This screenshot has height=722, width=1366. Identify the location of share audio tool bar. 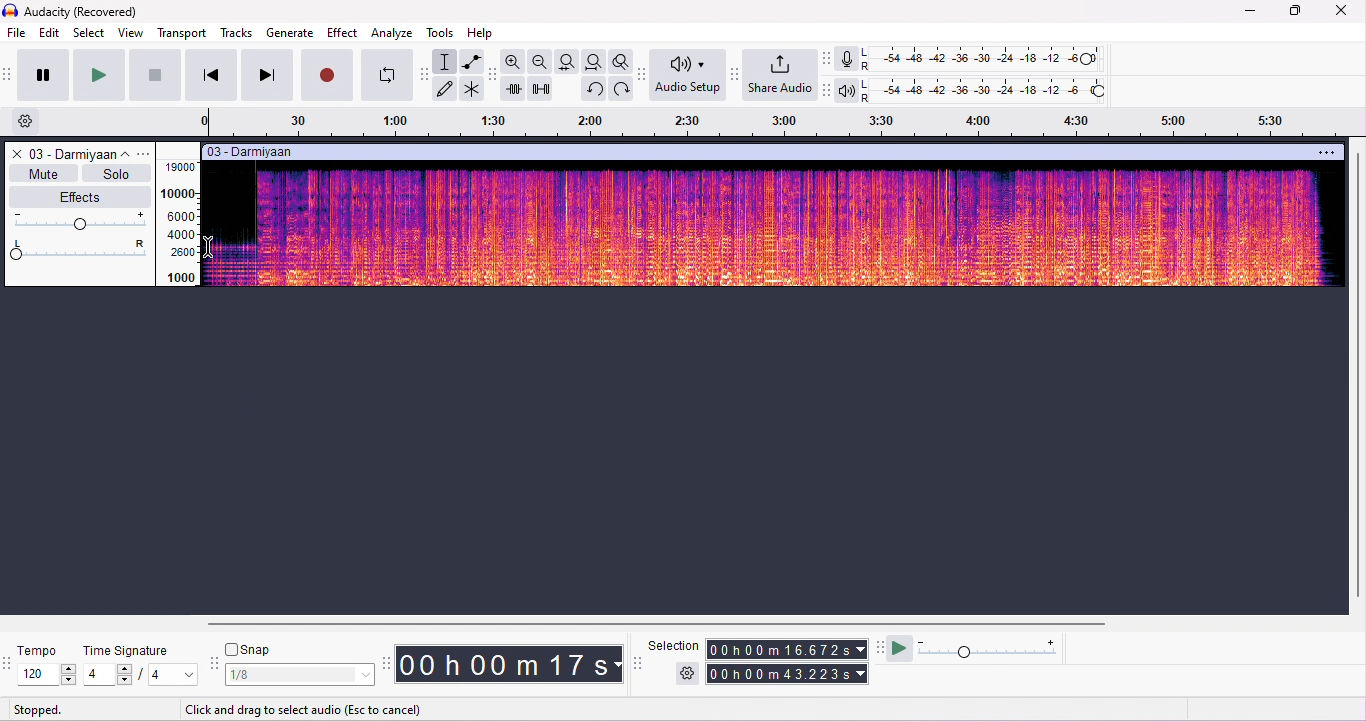
(736, 74).